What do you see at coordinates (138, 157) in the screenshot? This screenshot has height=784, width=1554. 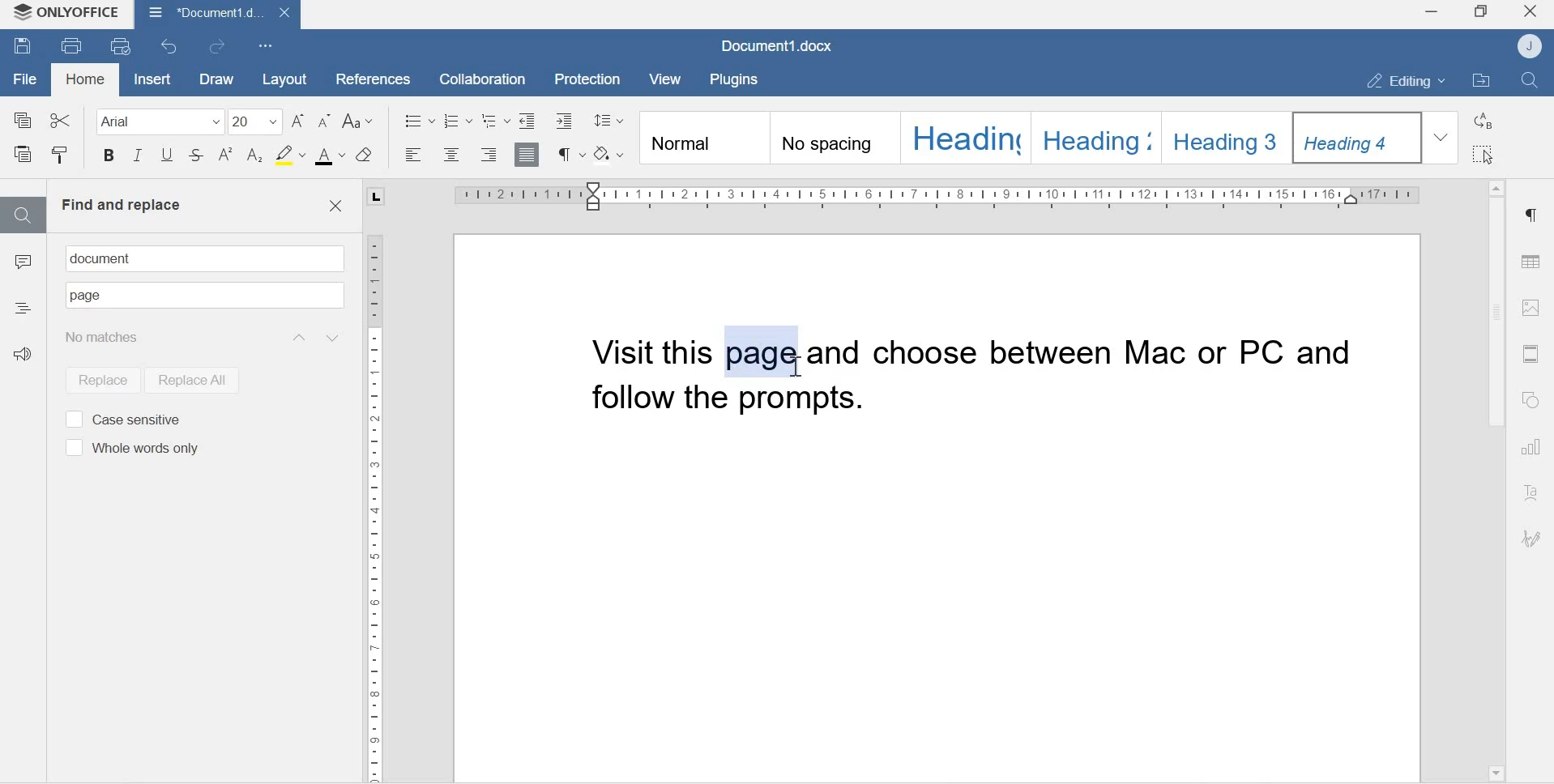 I see `Itallics` at bounding box center [138, 157].